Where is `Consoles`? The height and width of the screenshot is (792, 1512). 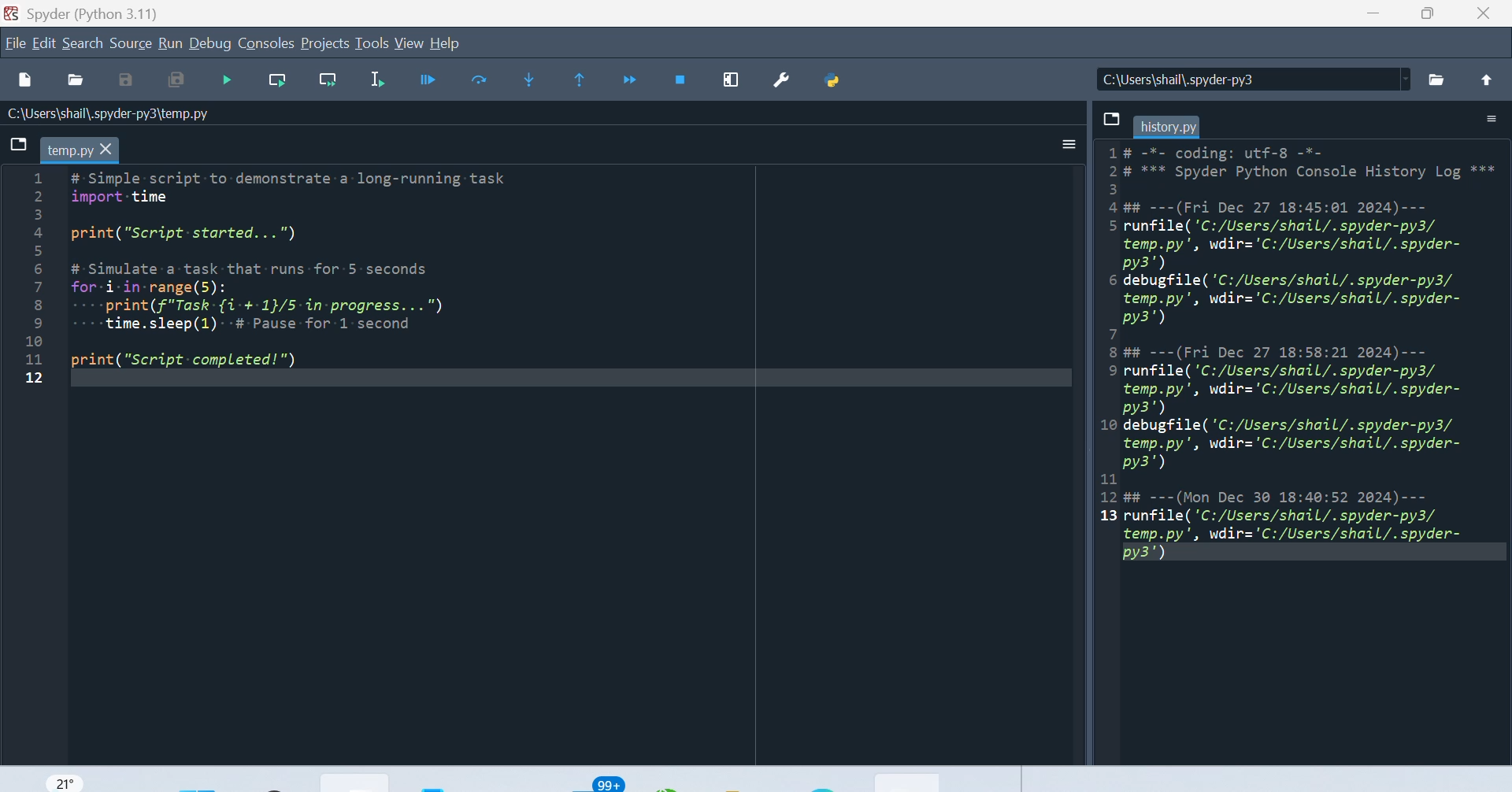 Consoles is located at coordinates (264, 45).